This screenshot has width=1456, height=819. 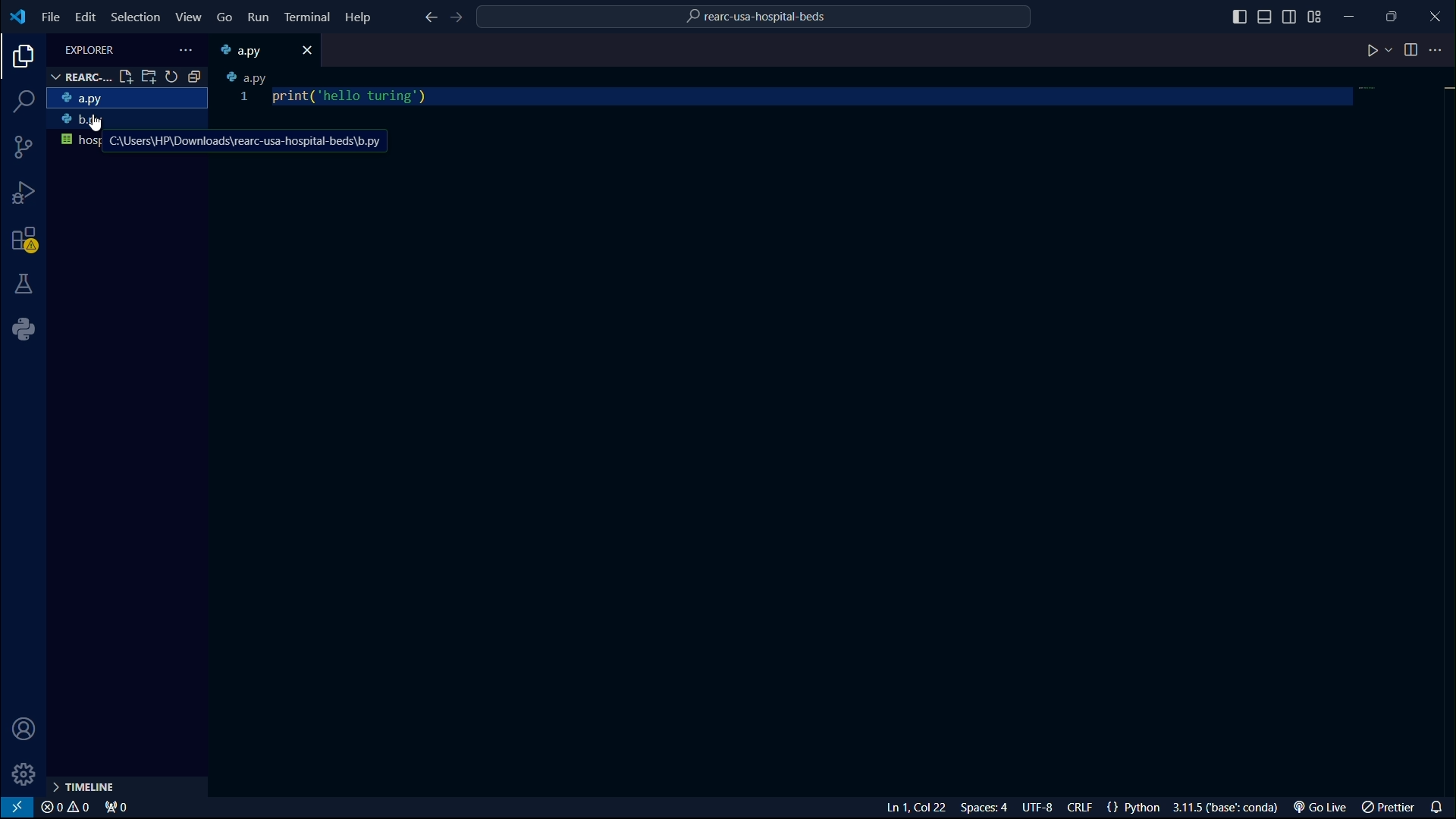 I want to click on REARC-..., so click(x=77, y=77).